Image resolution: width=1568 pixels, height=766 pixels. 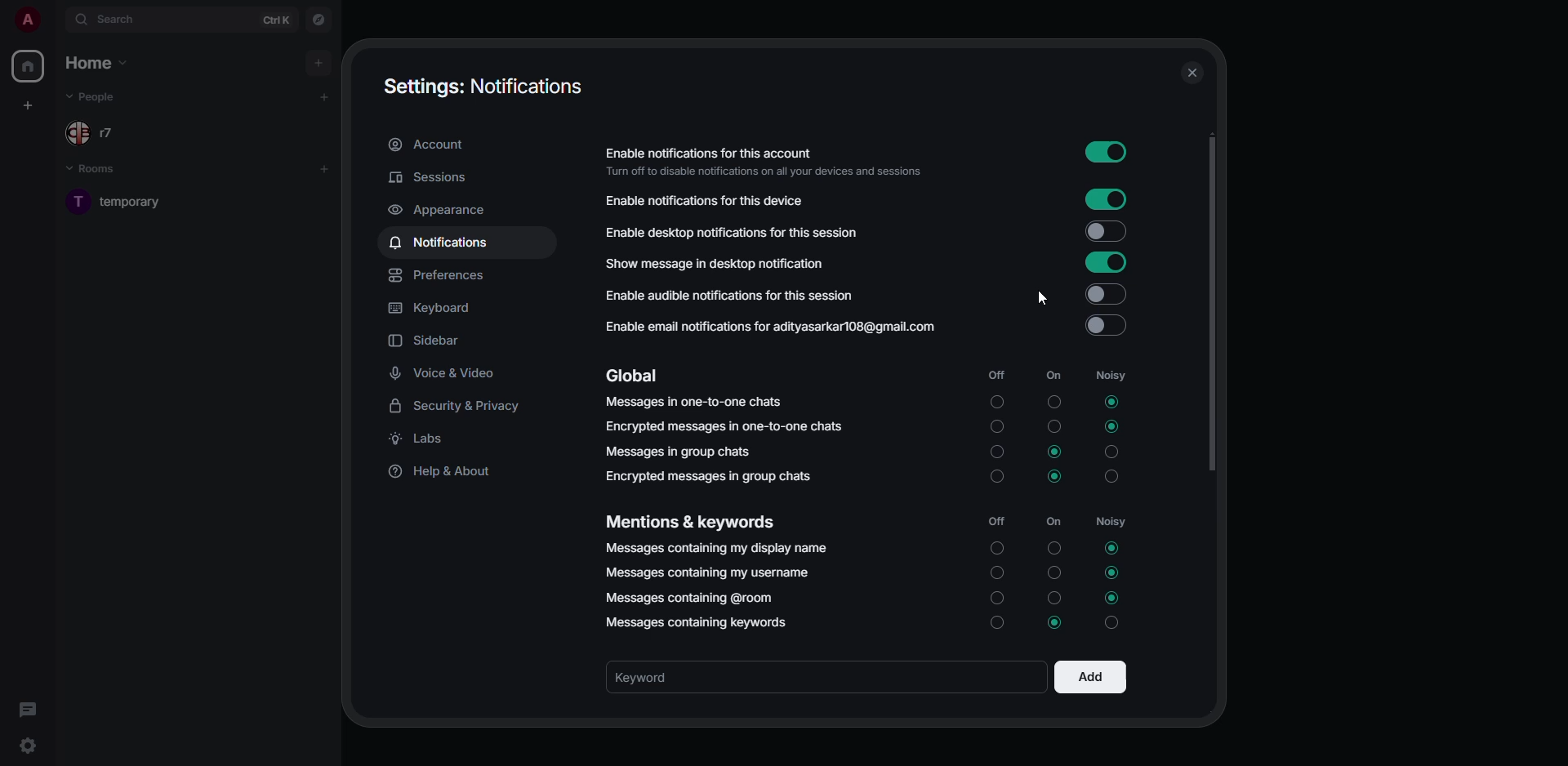 What do you see at coordinates (999, 626) in the screenshot?
I see `Off Unselected` at bounding box center [999, 626].